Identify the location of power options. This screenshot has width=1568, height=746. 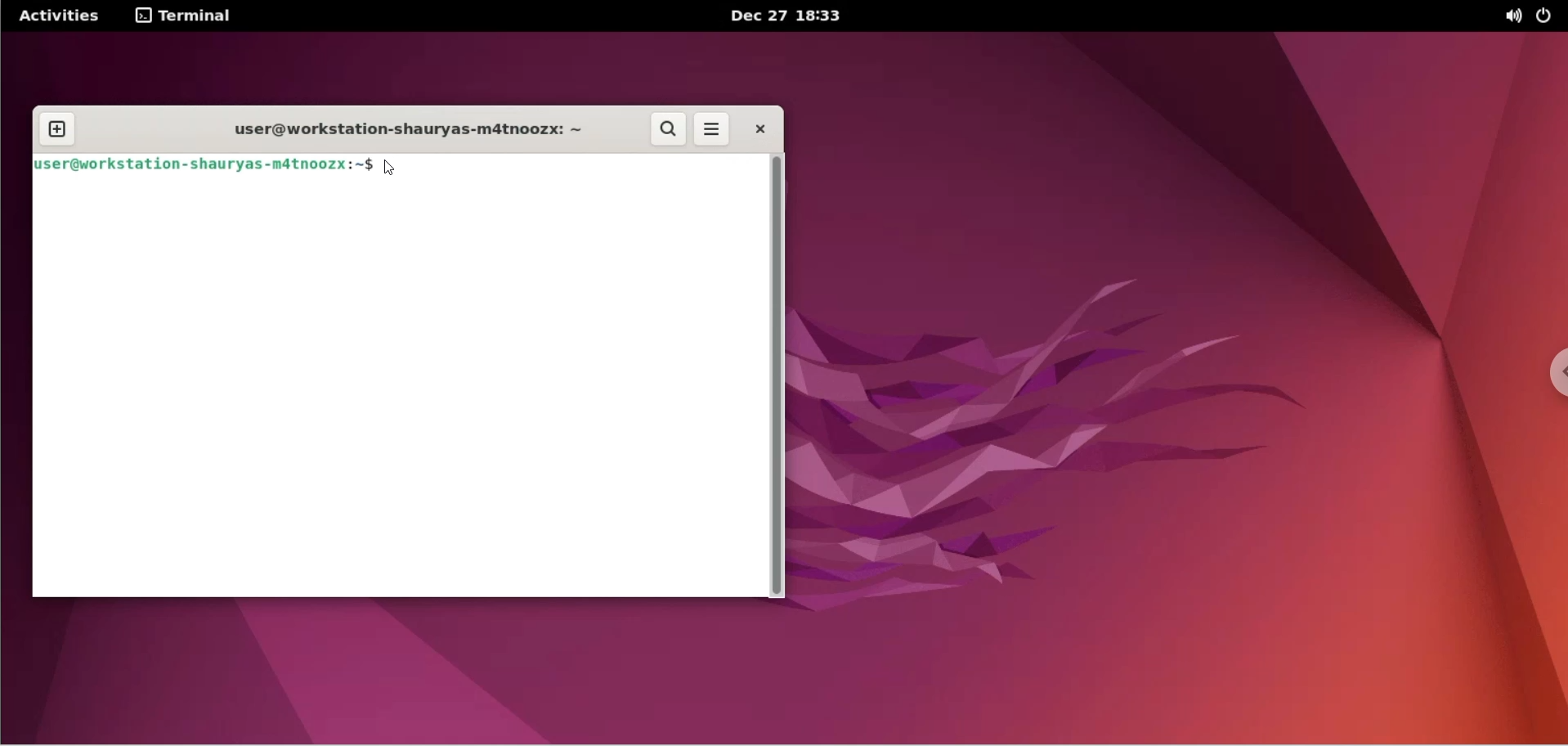
(1549, 16).